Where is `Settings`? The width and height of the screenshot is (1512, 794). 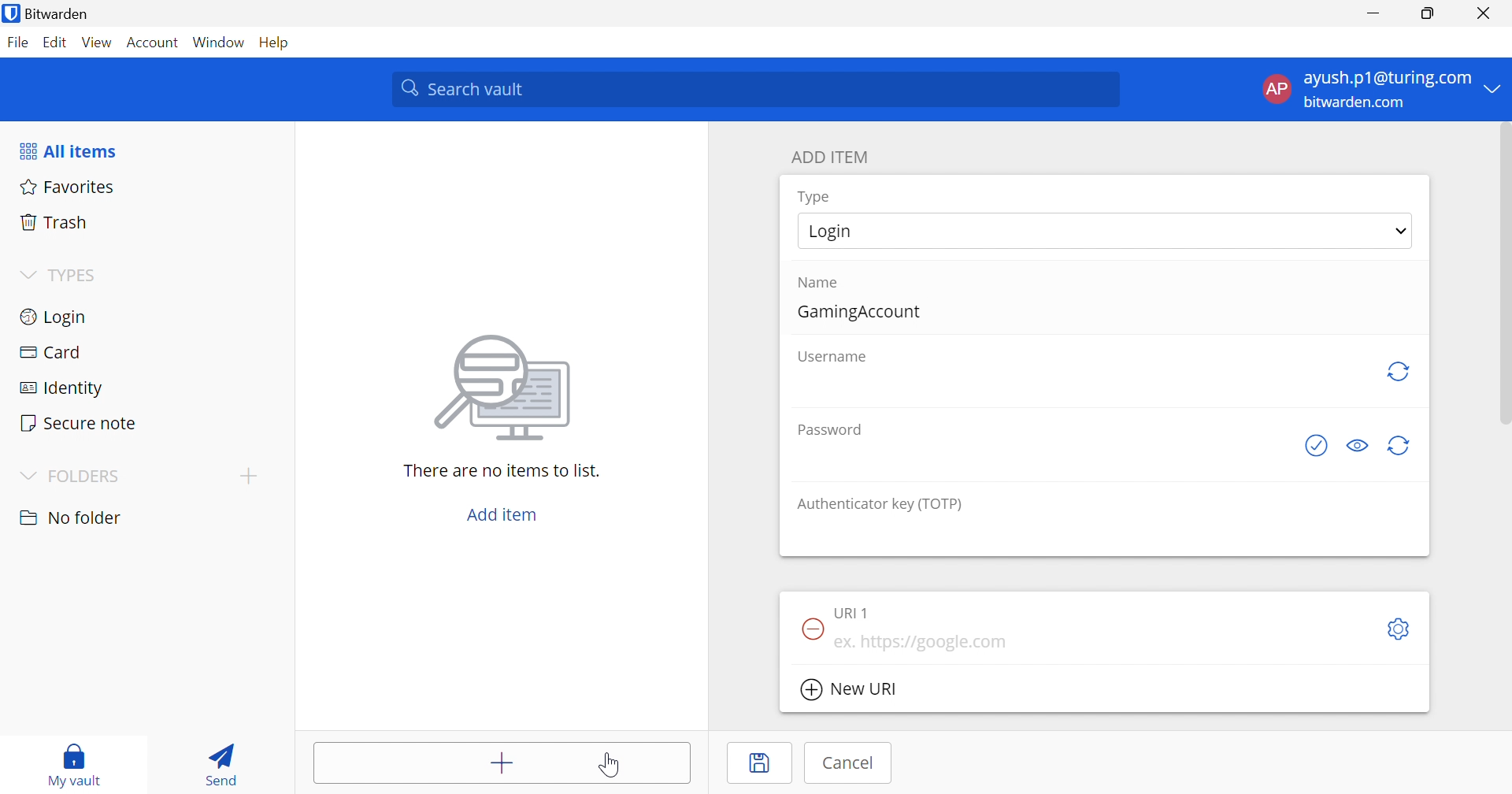
Settings is located at coordinates (1402, 629).